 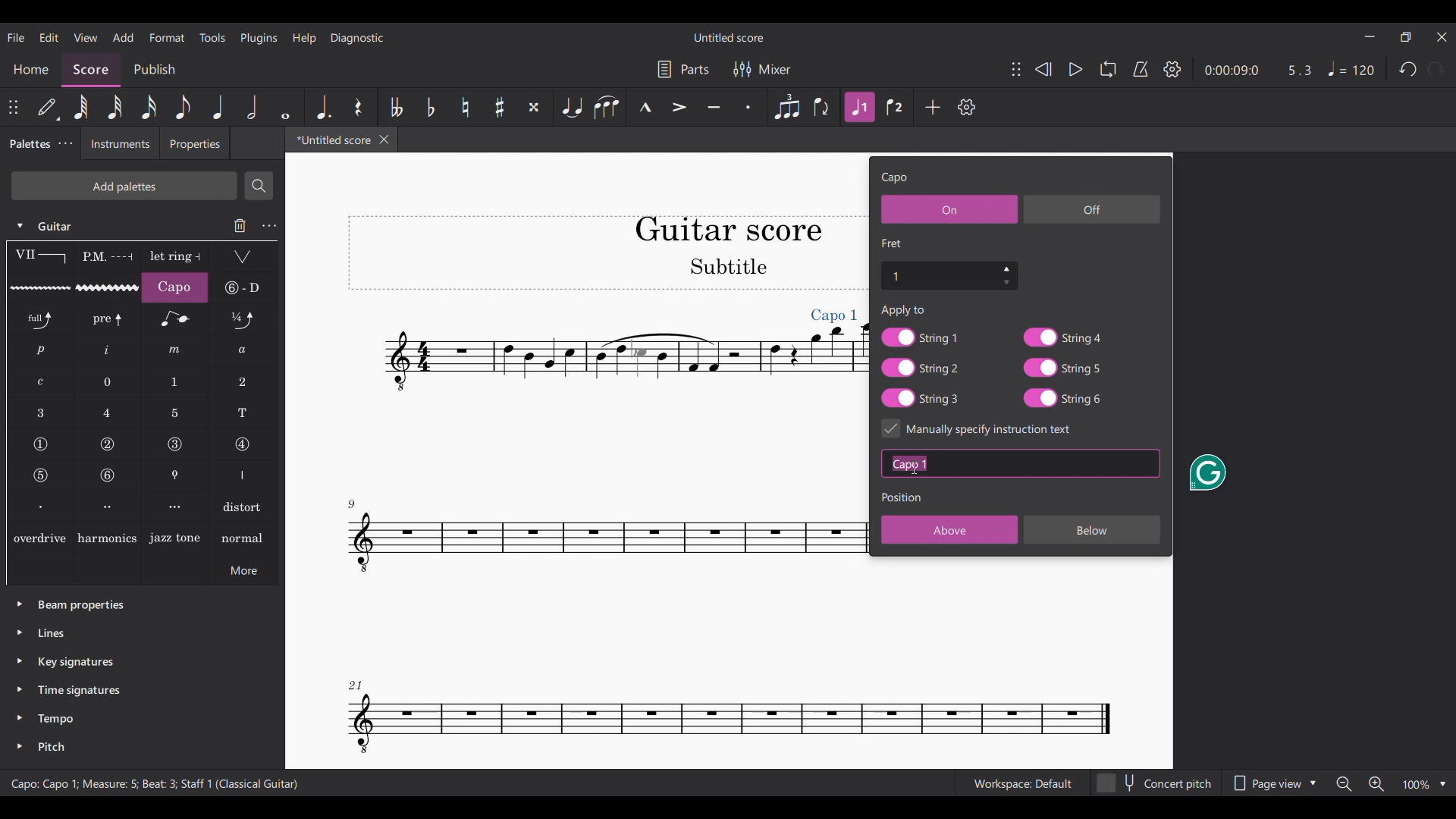 I want to click on Let ring, so click(x=175, y=257).